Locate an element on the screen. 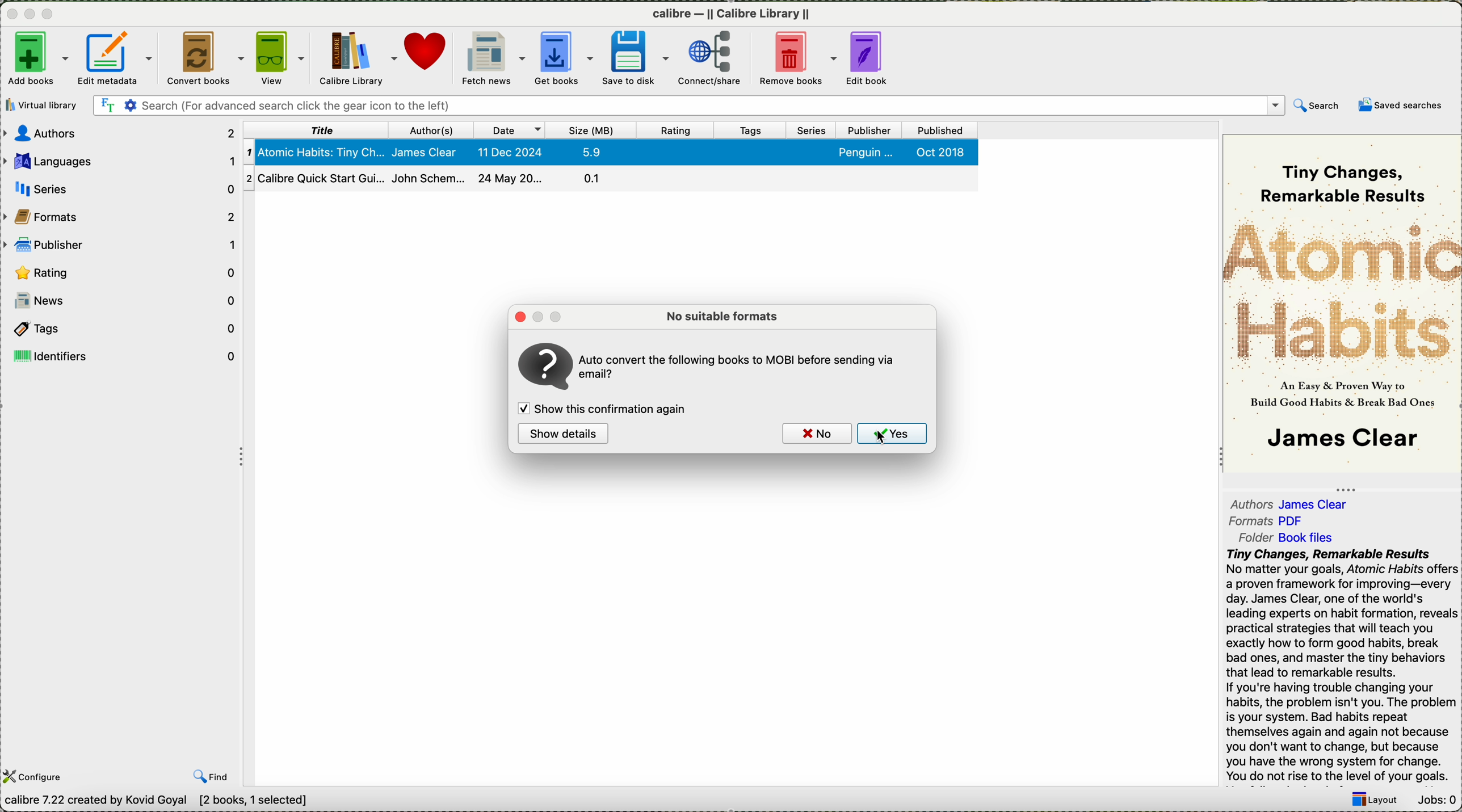 The height and width of the screenshot is (812, 1462). no suitable formats is located at coordinates (725, 314).